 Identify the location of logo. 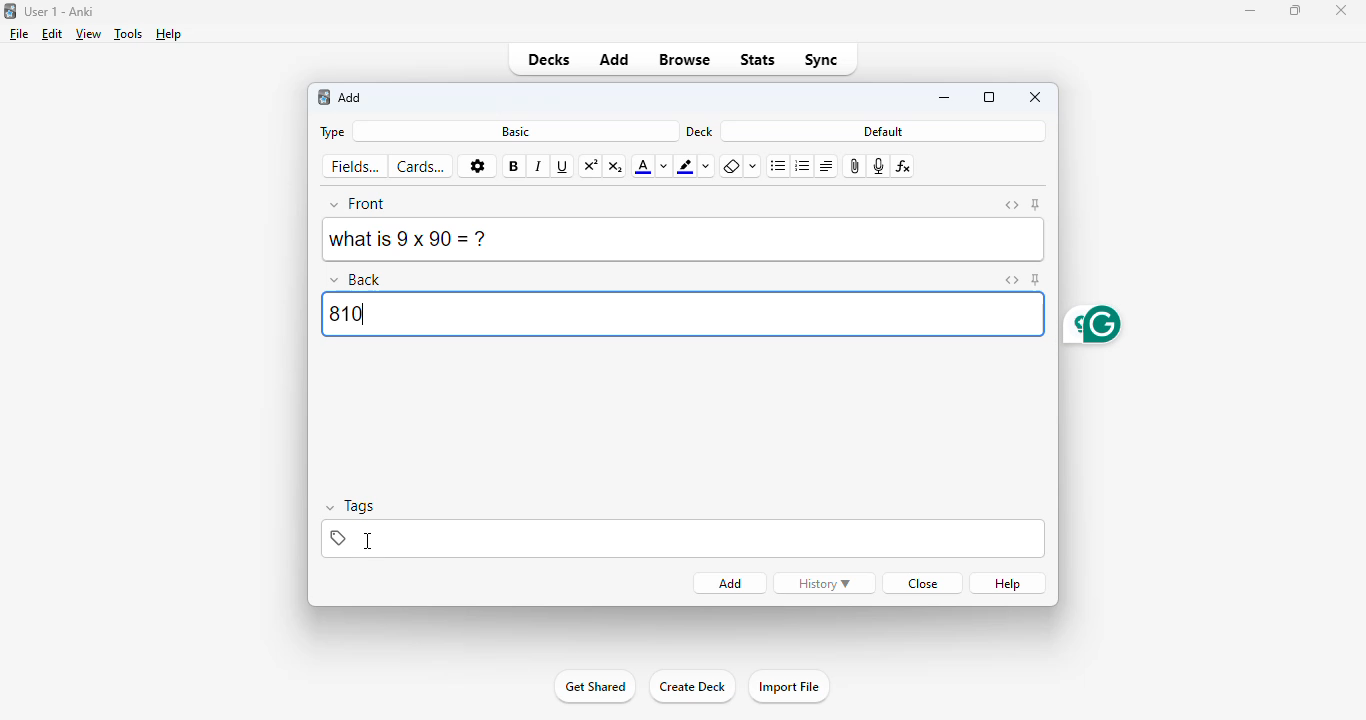
(9, 11).